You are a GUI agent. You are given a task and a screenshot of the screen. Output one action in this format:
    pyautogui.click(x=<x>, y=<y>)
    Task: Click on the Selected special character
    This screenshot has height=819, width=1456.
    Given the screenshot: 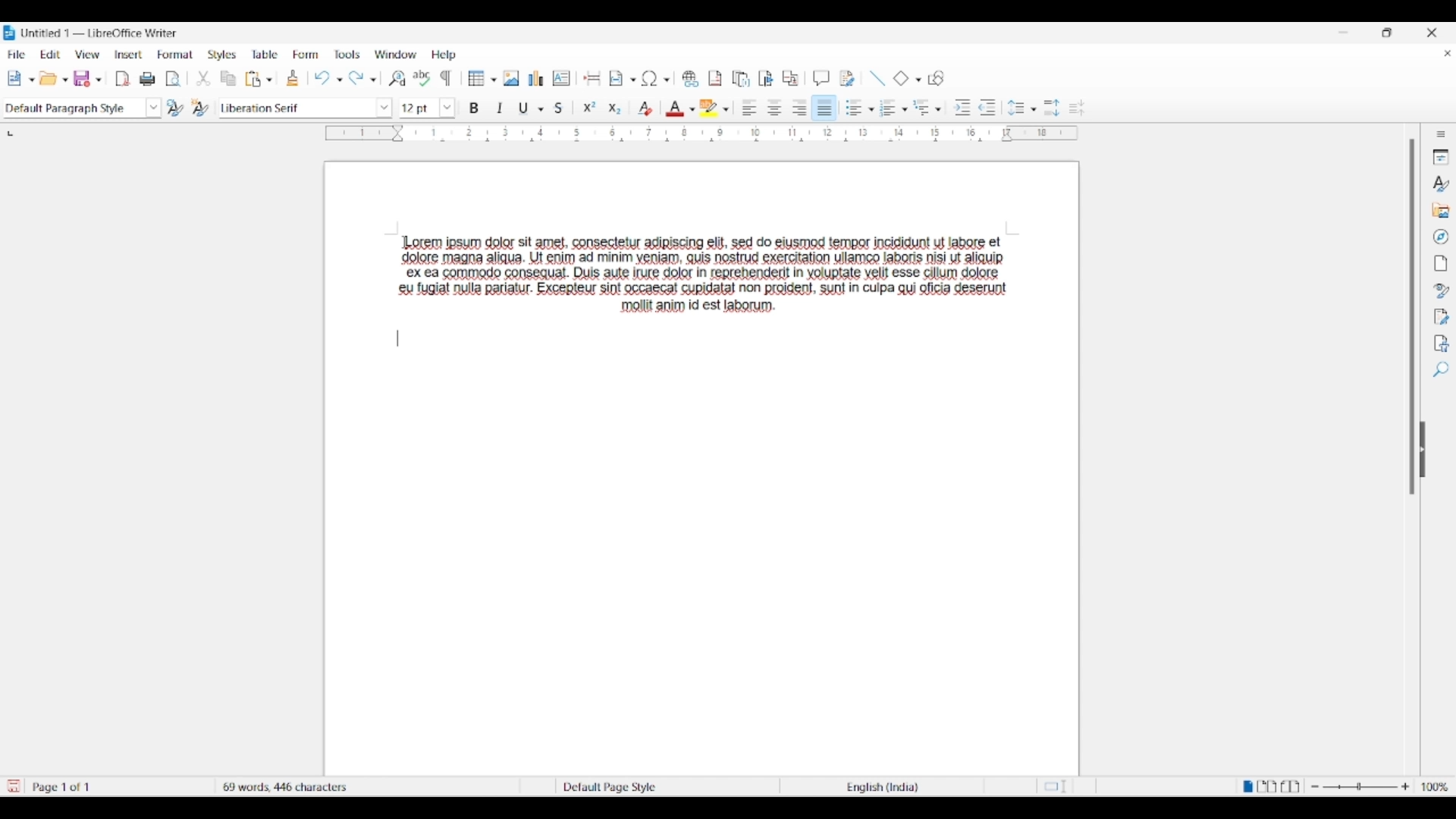 What is the action you would take?
    pyautogui.click(x=649, y=78)
    